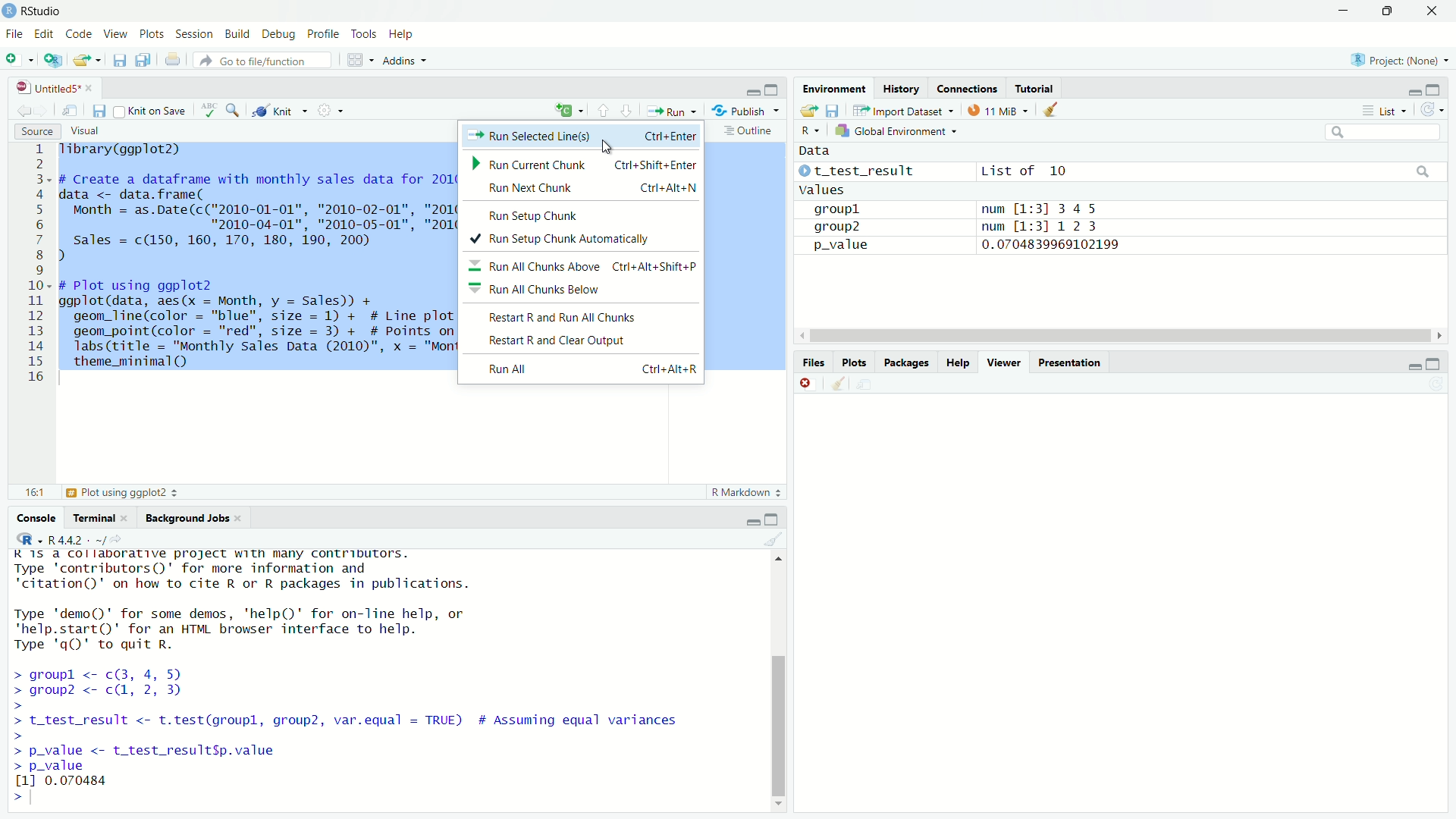  What do you see at coordinates (833, 111) in the screenshot?
I see `save workspace as` at bounding box center [833, 111].